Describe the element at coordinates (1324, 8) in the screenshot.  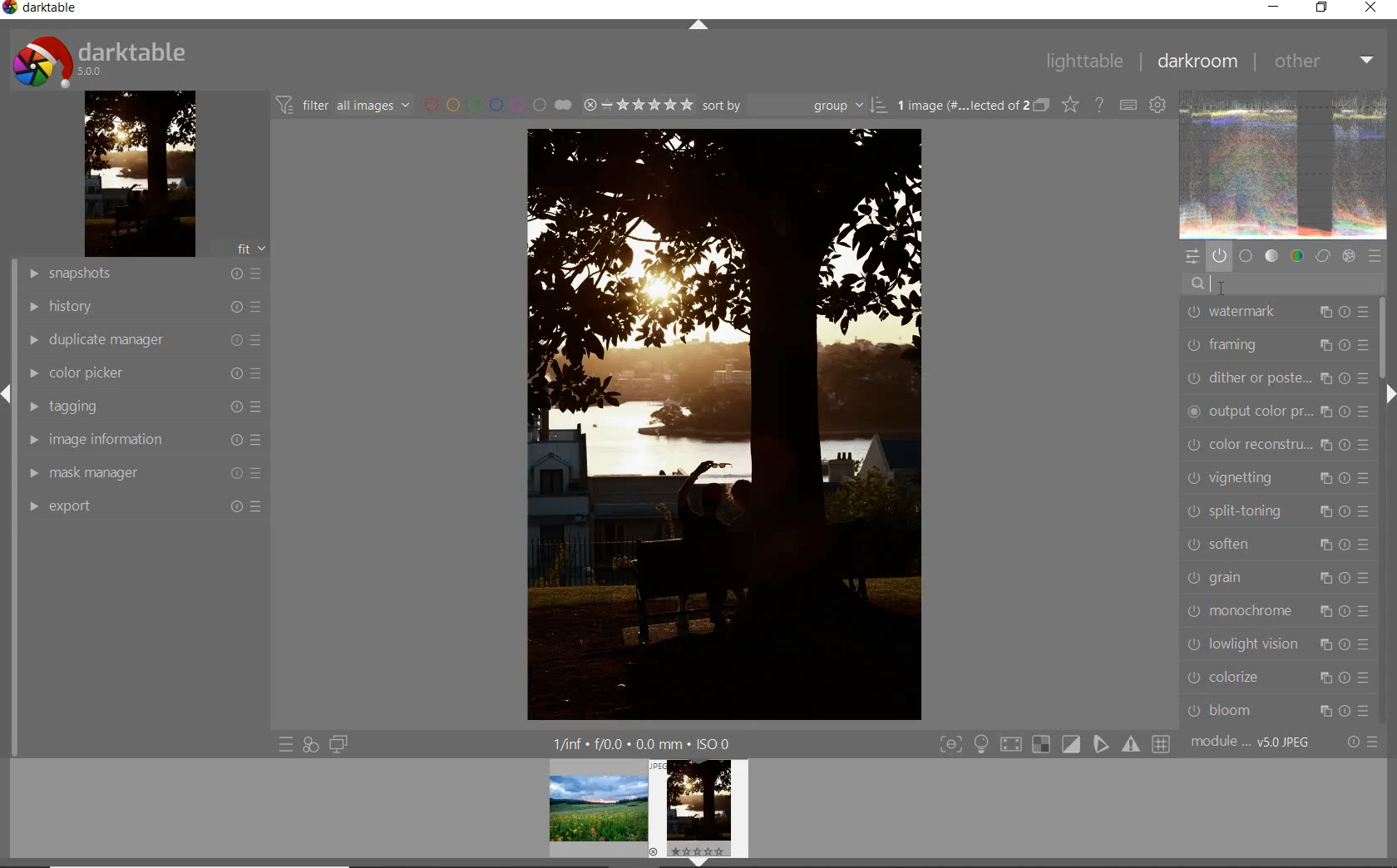
I see `restore` at that location.